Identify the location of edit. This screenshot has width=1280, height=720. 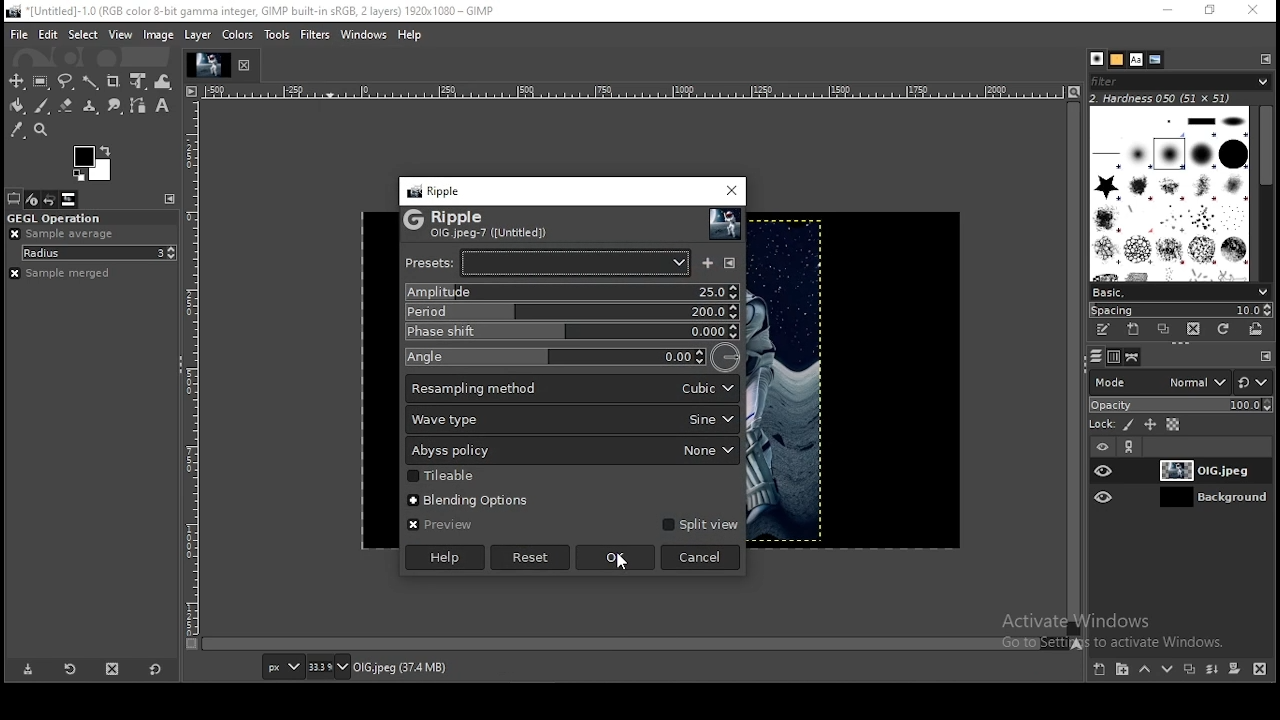
(48, 34).